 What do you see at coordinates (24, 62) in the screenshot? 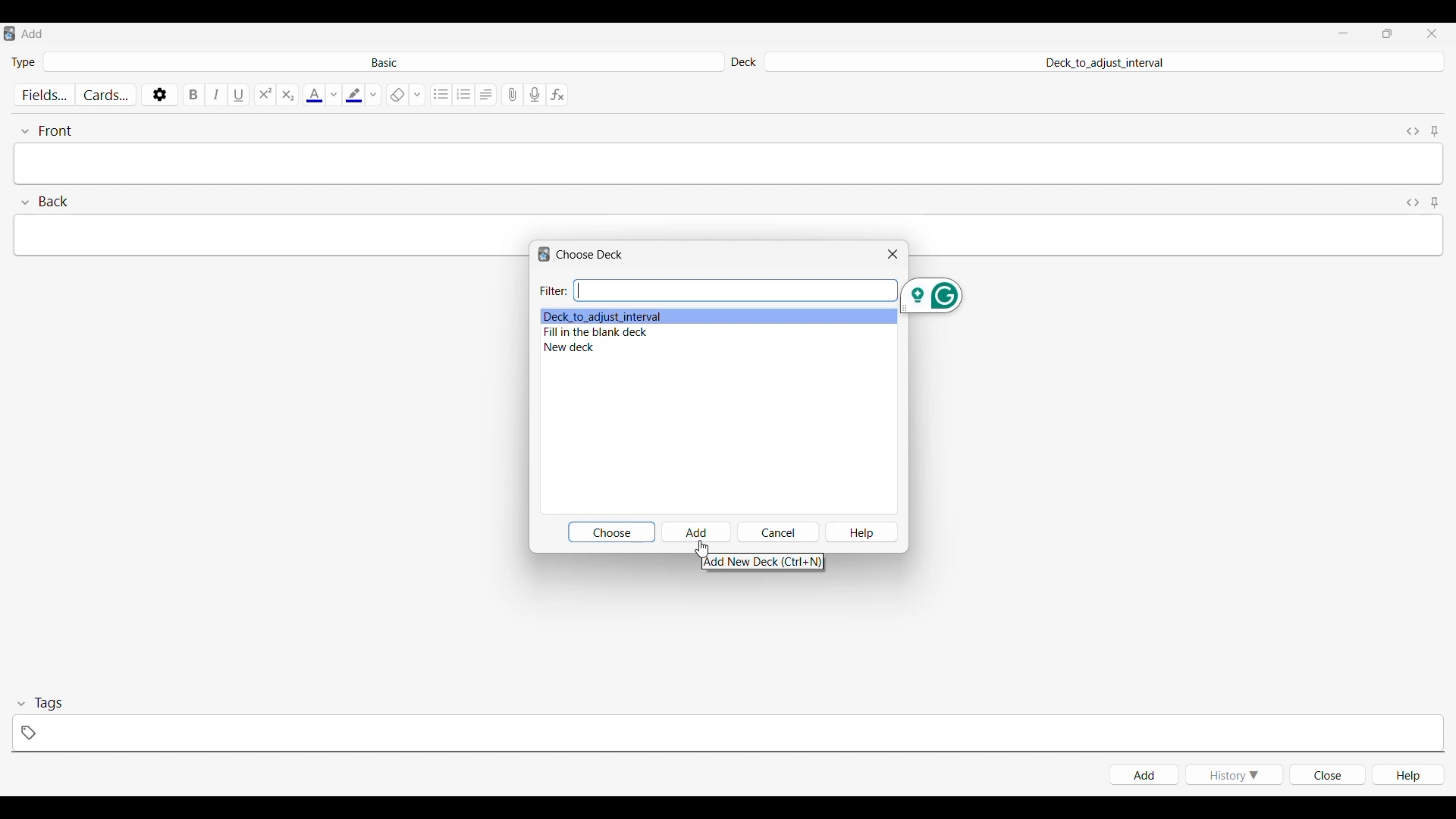
I see `Indicates Type of card` at bounding box center [24, 62].